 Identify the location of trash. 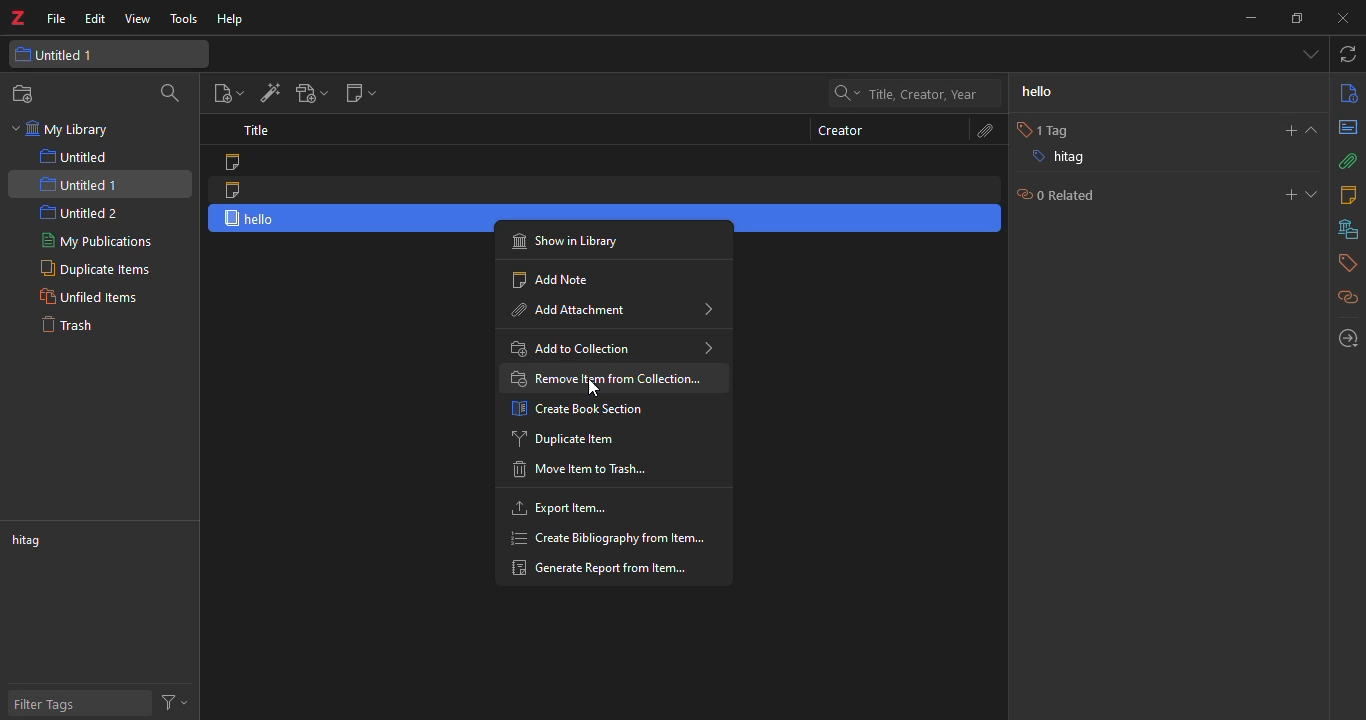
(68, 324).